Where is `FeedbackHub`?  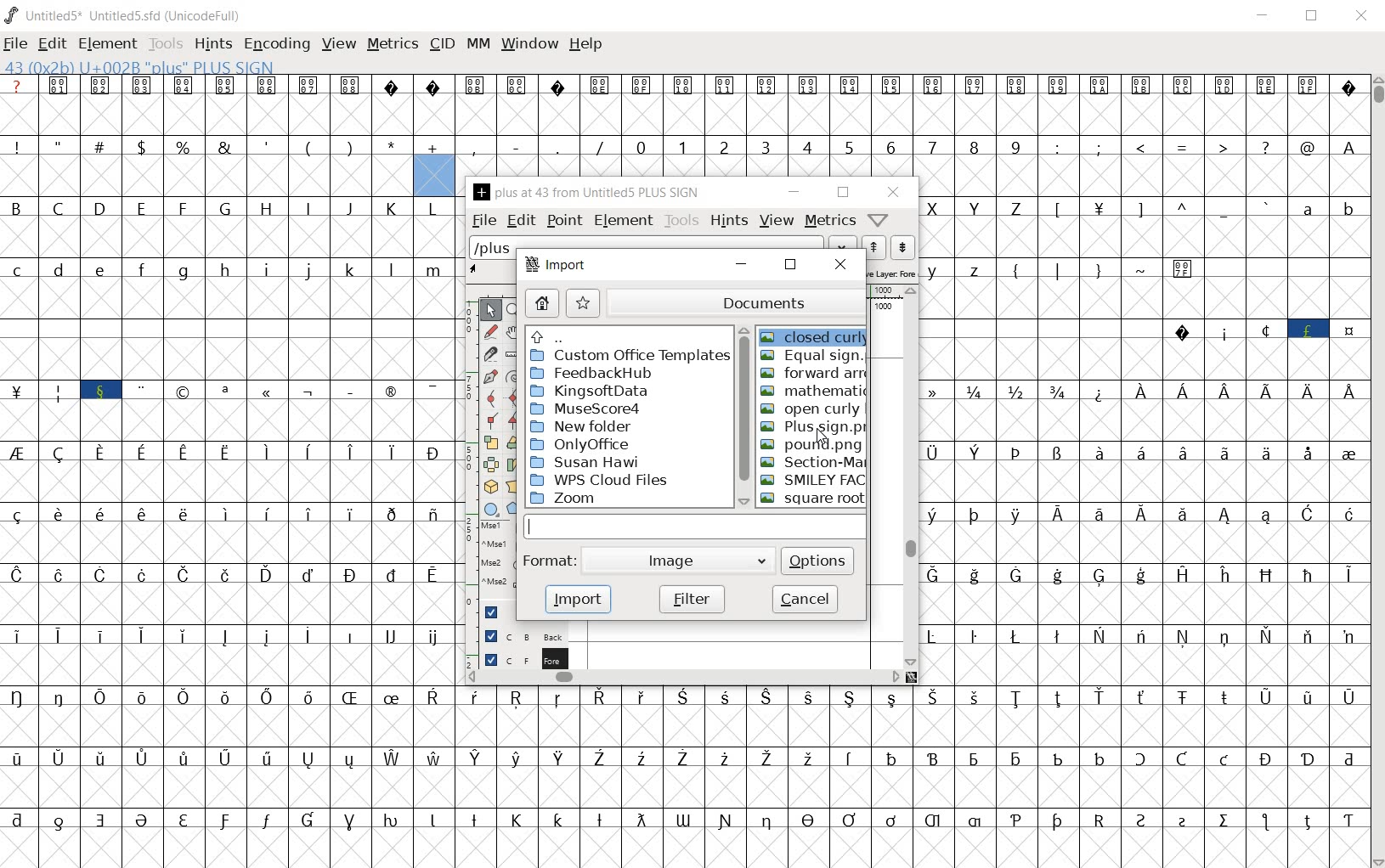 FeedbackHub is located at coordinates (591, 372).